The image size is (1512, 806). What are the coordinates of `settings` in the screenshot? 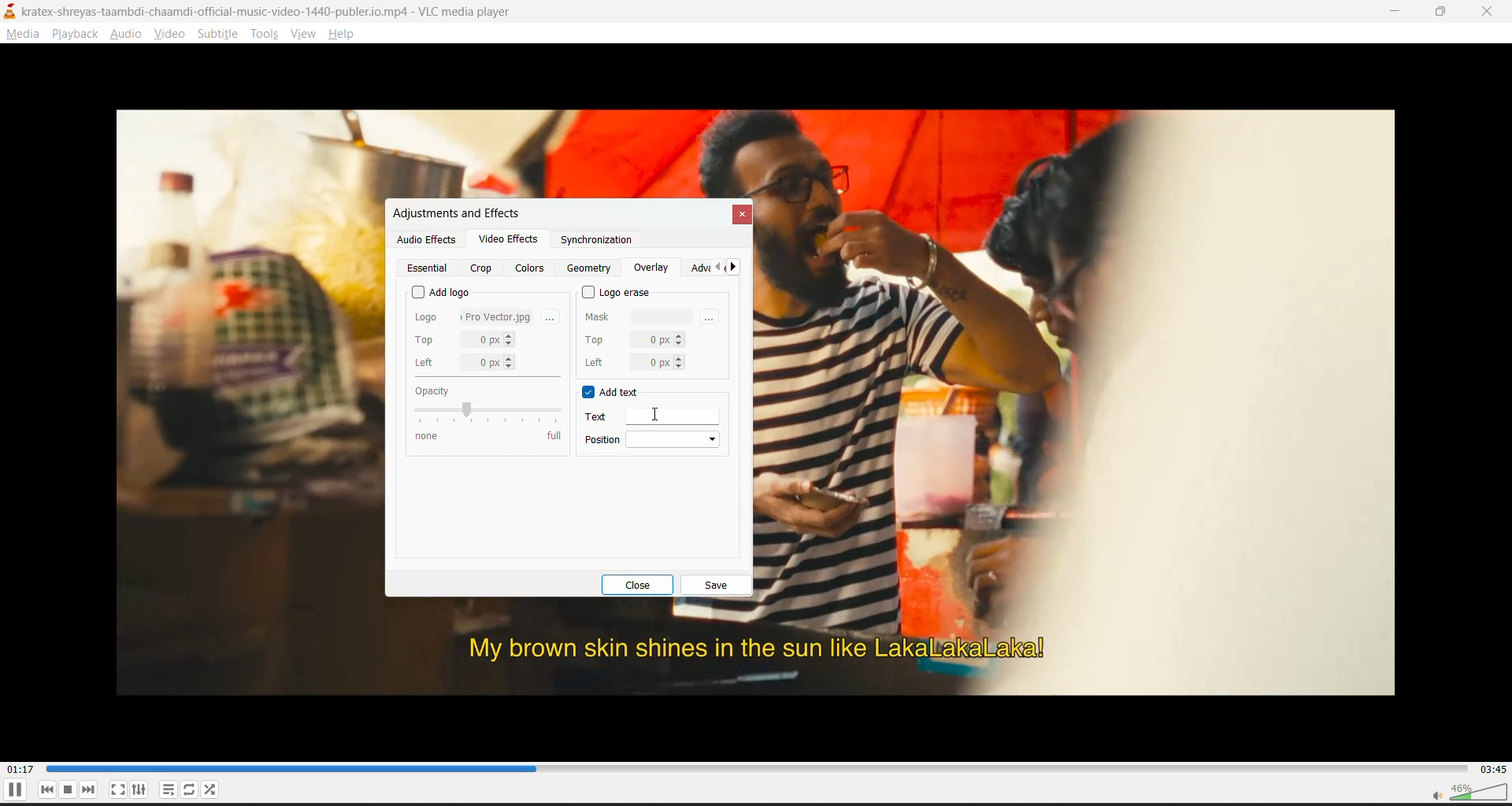 It's located at (143, 790).